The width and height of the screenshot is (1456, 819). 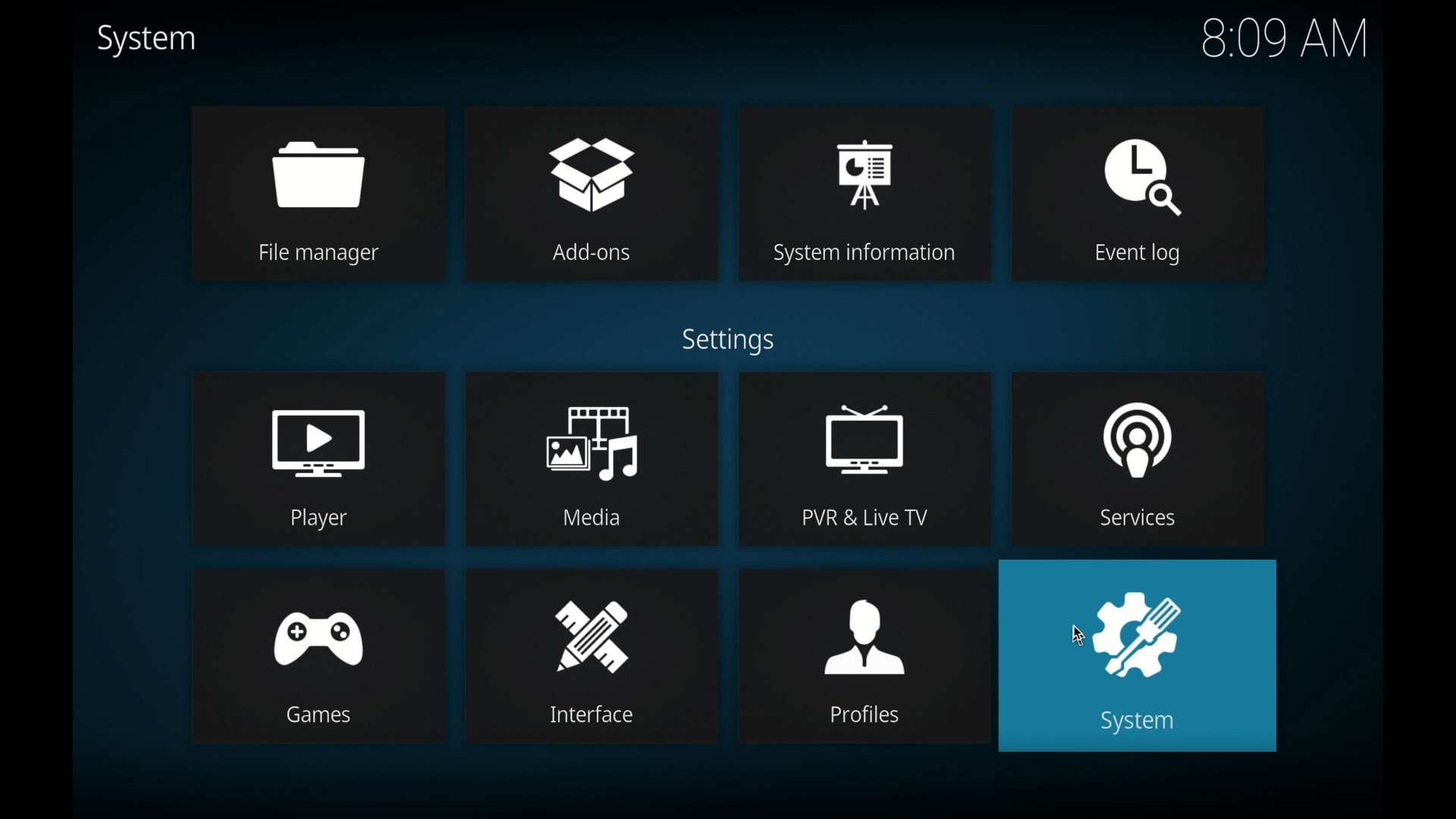 What do you see at coordinates (864, 654) in the screenshot?
I see `profiles` at bounding box center [864, 654].